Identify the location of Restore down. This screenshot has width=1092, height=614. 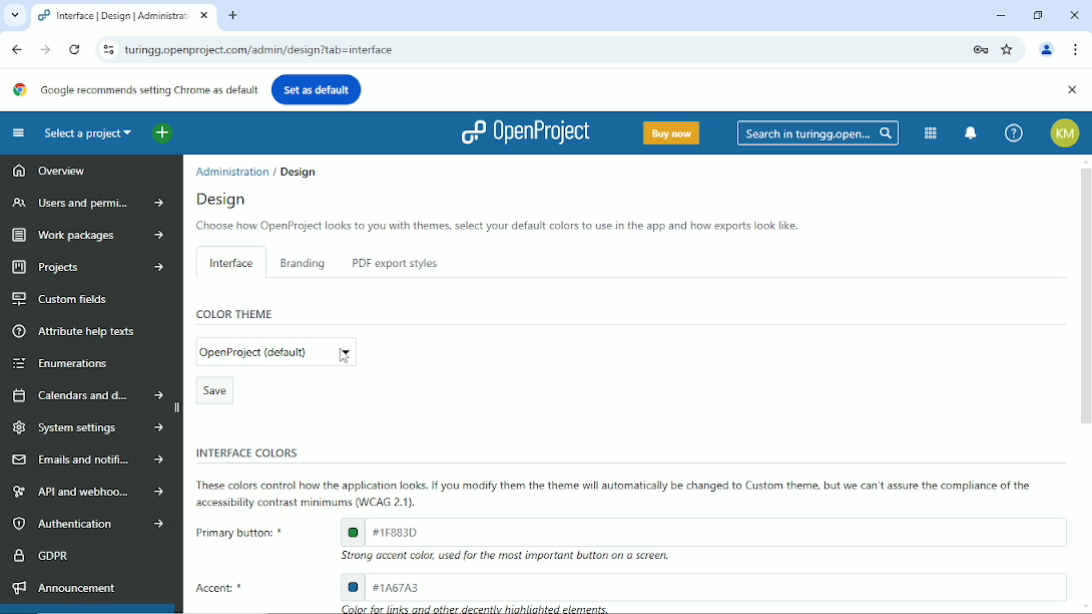
(1038, 14).